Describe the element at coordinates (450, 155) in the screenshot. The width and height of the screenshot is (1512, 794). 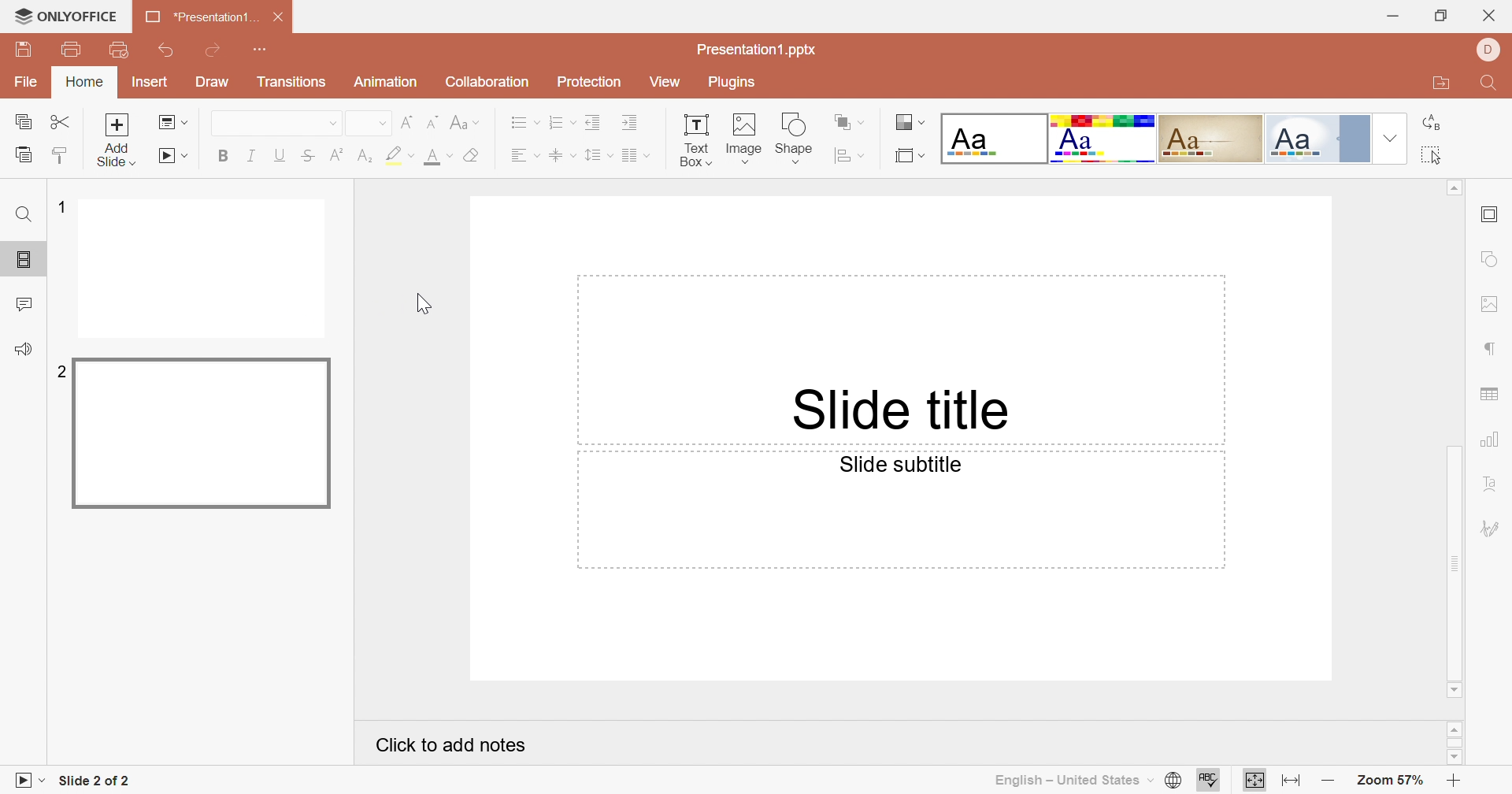
I see `Drop Down` at that location.